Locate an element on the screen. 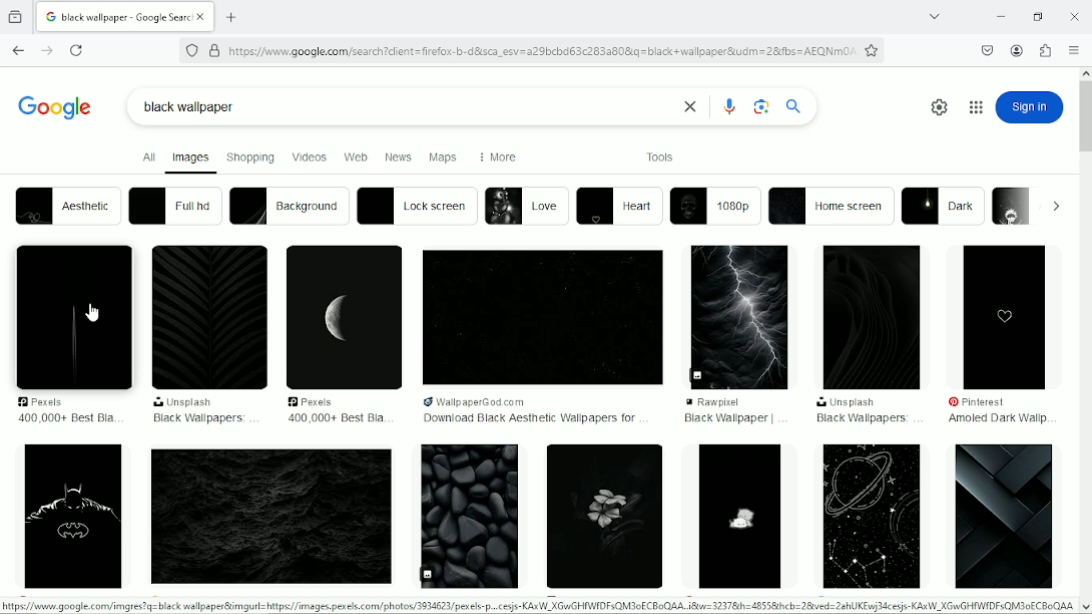 The width and height of the screenshot is (1092, 614). google apps is located at coordinates (975, 107).